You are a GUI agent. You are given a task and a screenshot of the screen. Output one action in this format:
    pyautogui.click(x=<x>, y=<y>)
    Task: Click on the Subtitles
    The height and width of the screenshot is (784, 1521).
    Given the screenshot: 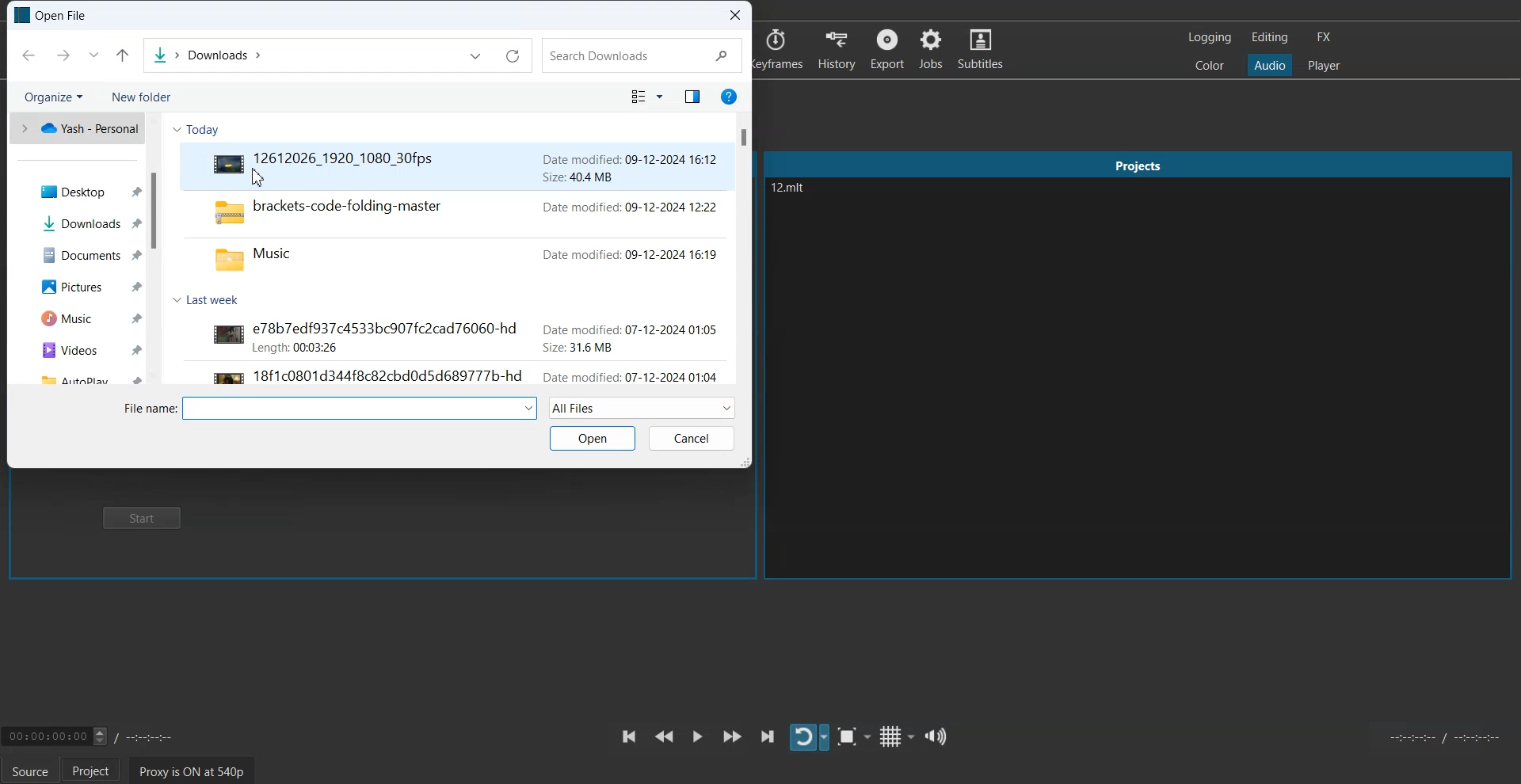 What is the action you would take?
    pyautogui.click(x=981, y=48)
    